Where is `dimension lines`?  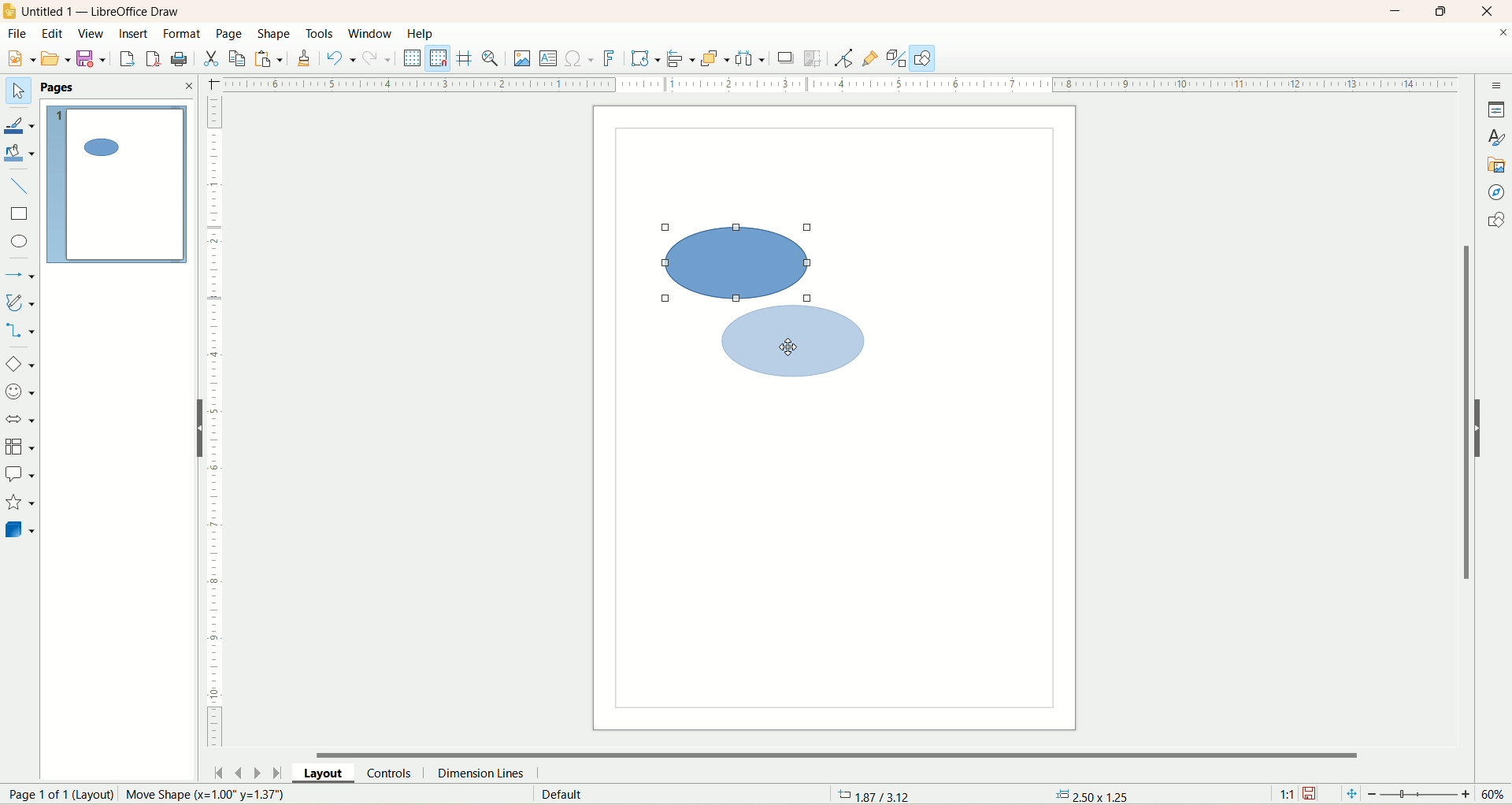 dimension lines is located at coordinates (493, 772).